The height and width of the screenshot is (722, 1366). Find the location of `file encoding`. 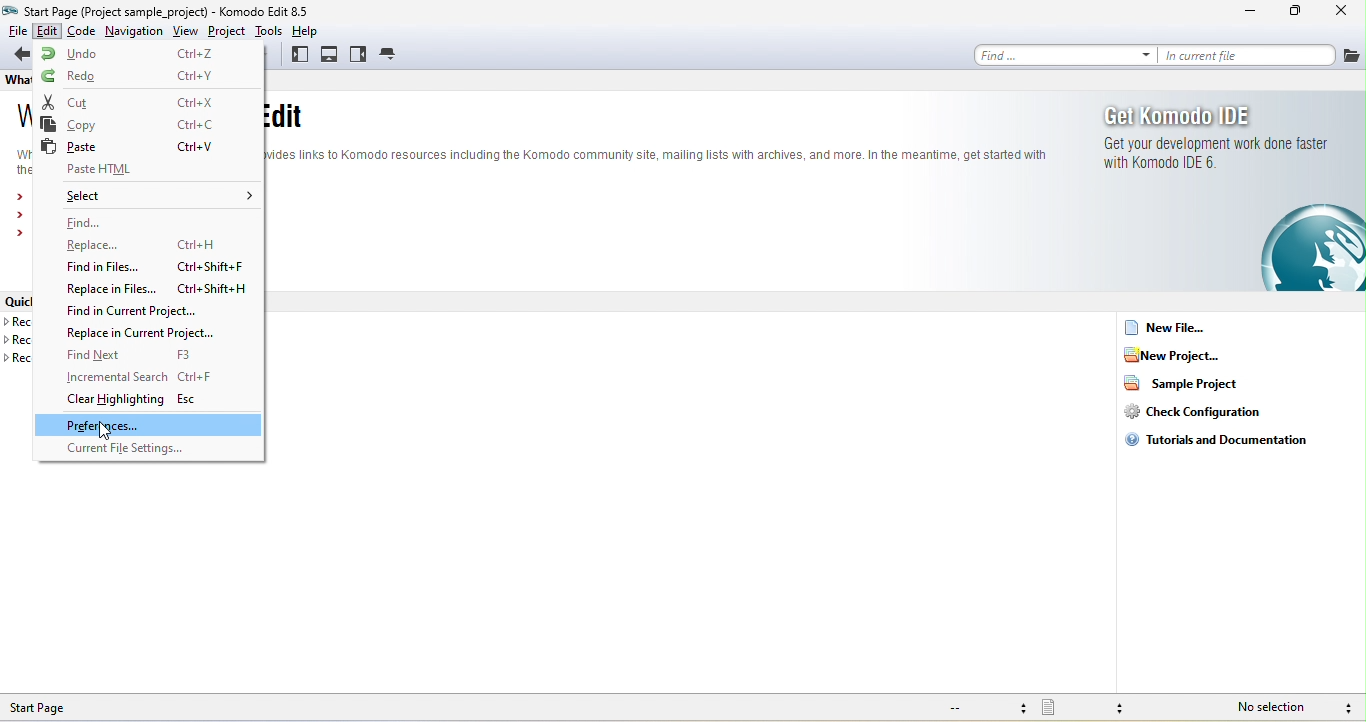

file encoding is located at coordinates (987, 708).